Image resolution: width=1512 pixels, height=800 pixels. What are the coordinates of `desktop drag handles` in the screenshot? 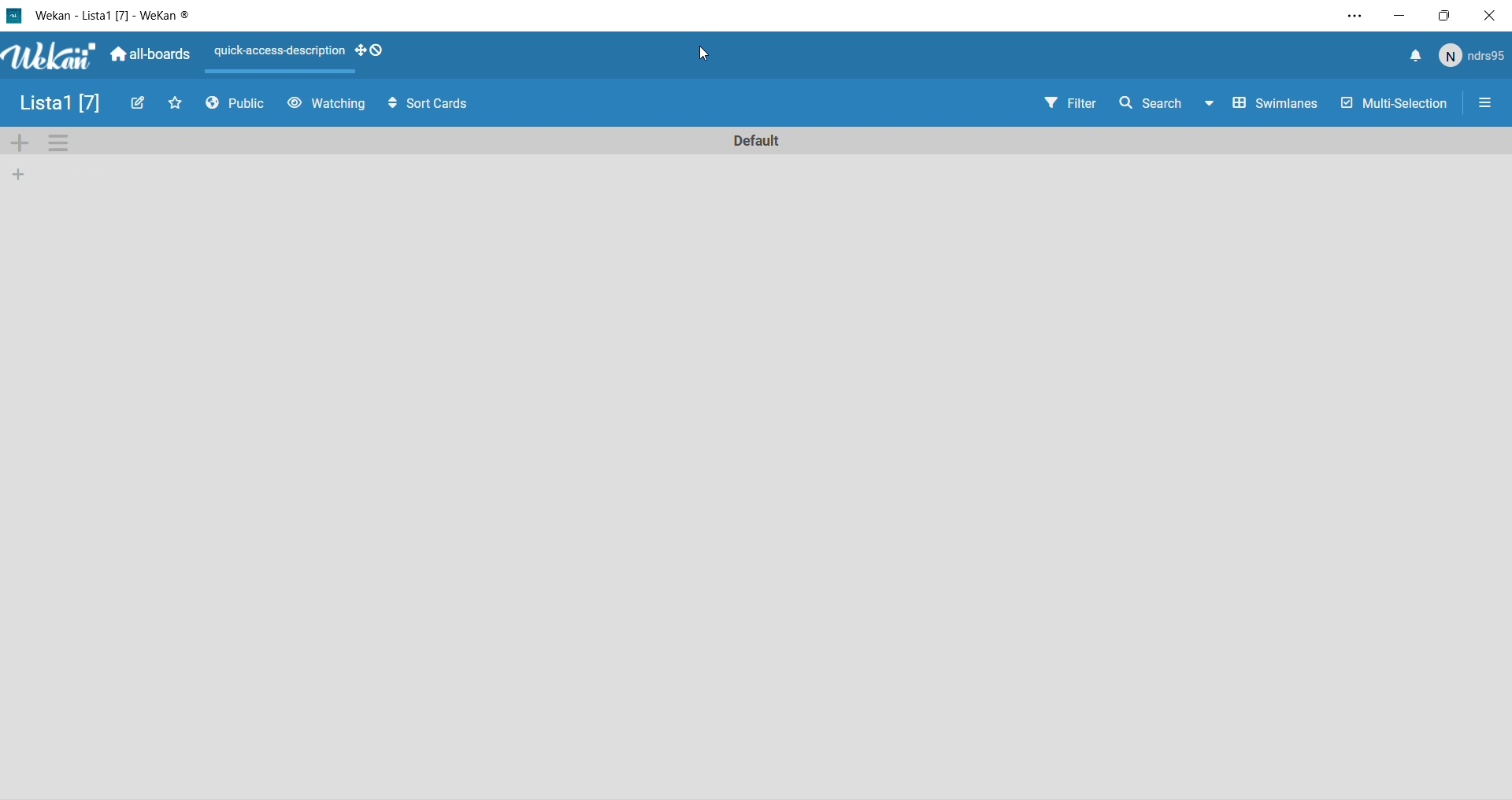 It's located at (376, 52).